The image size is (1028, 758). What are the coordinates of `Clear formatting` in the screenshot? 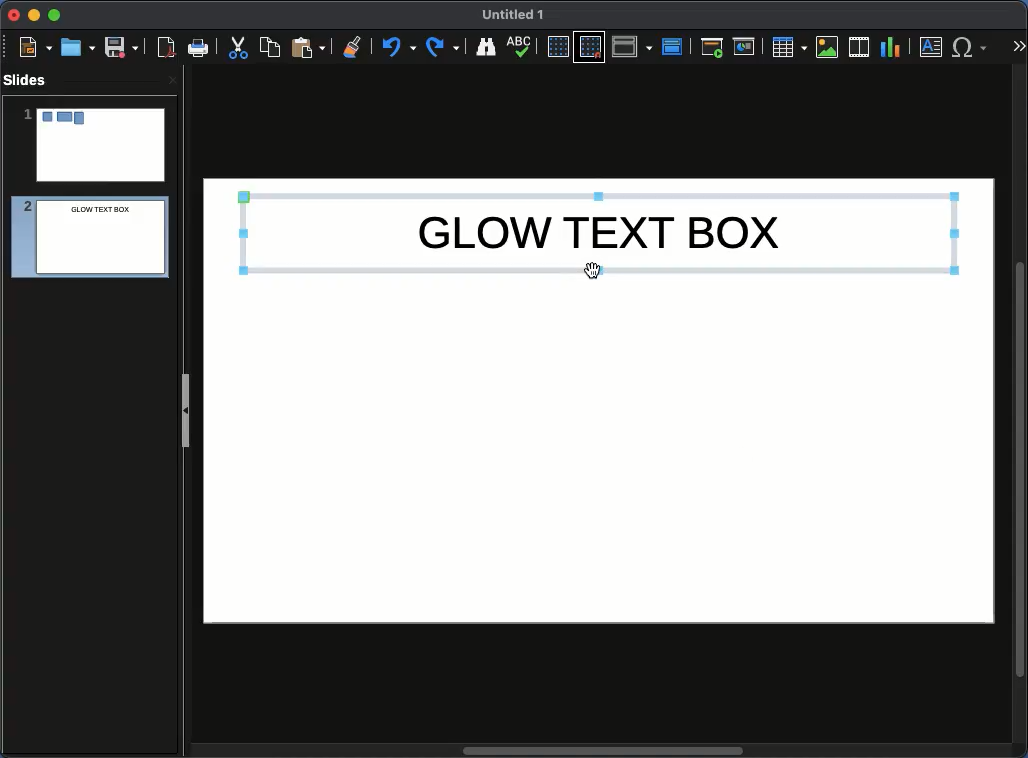 It's located at (353, 45).